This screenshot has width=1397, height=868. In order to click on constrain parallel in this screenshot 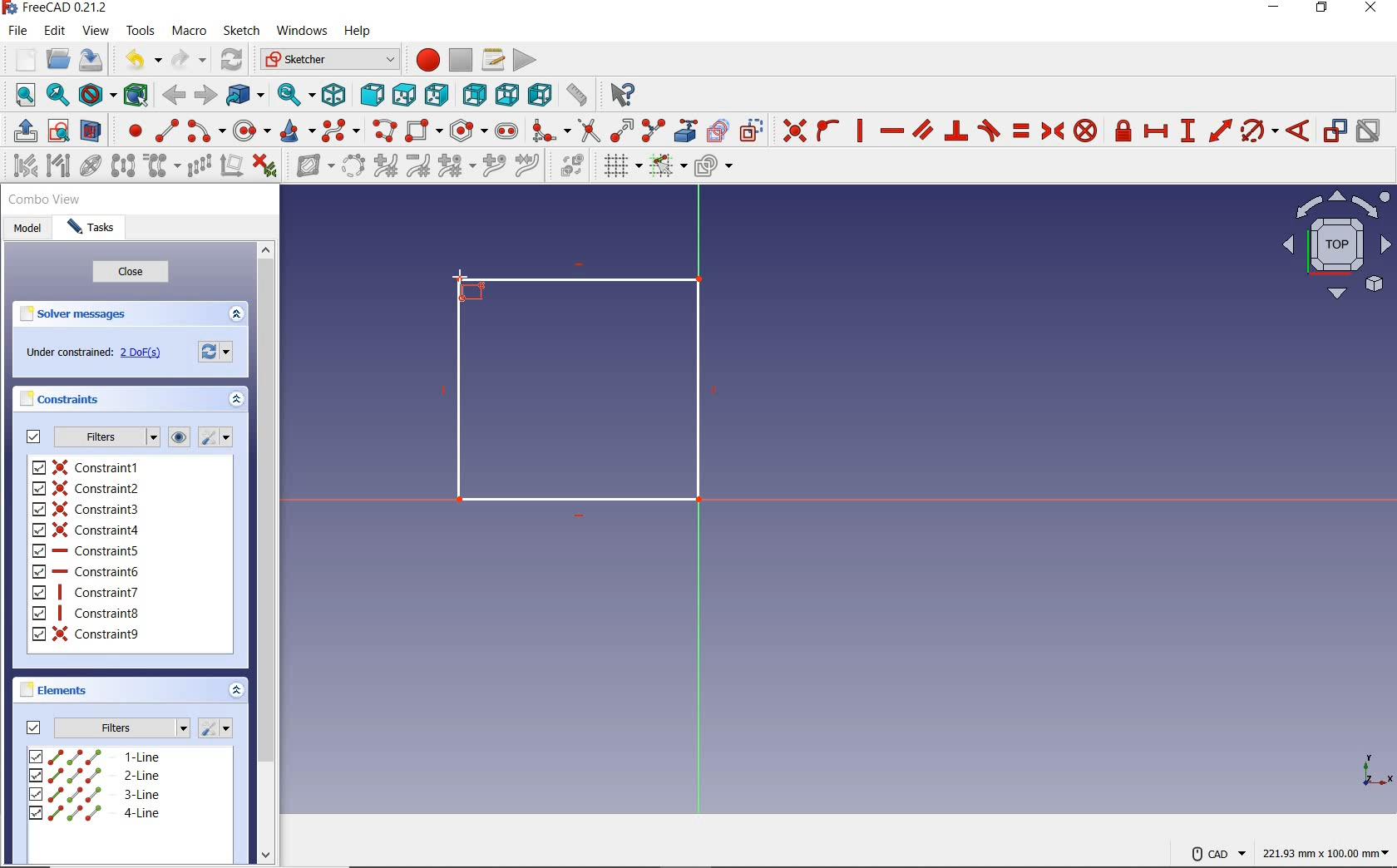, I will do `click(923, 130)`.